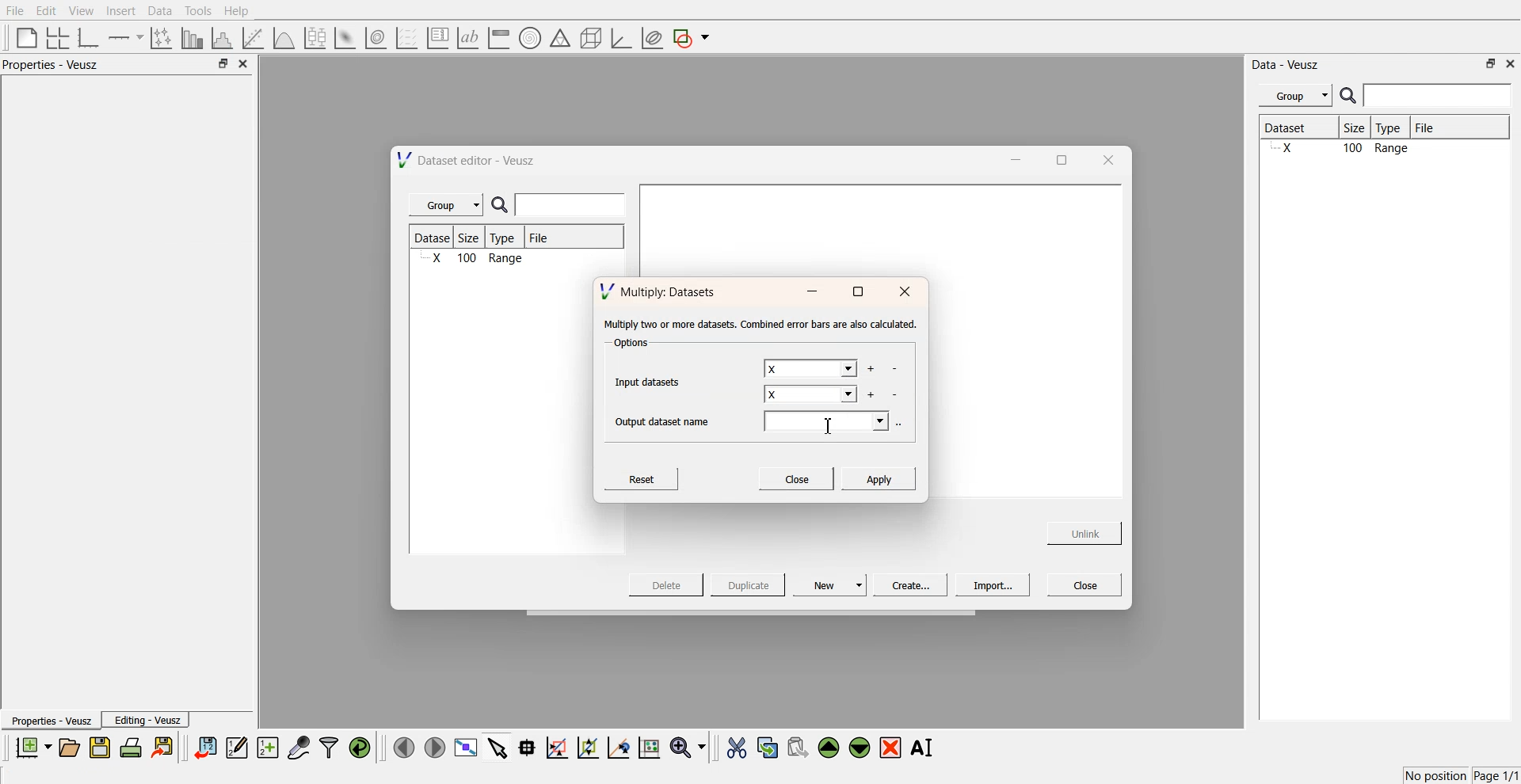 The height and width of the screenshot is (784, 1521). Describe the element at coordinates (204, 748) in the screenshot. I see `import data sets` at that location.